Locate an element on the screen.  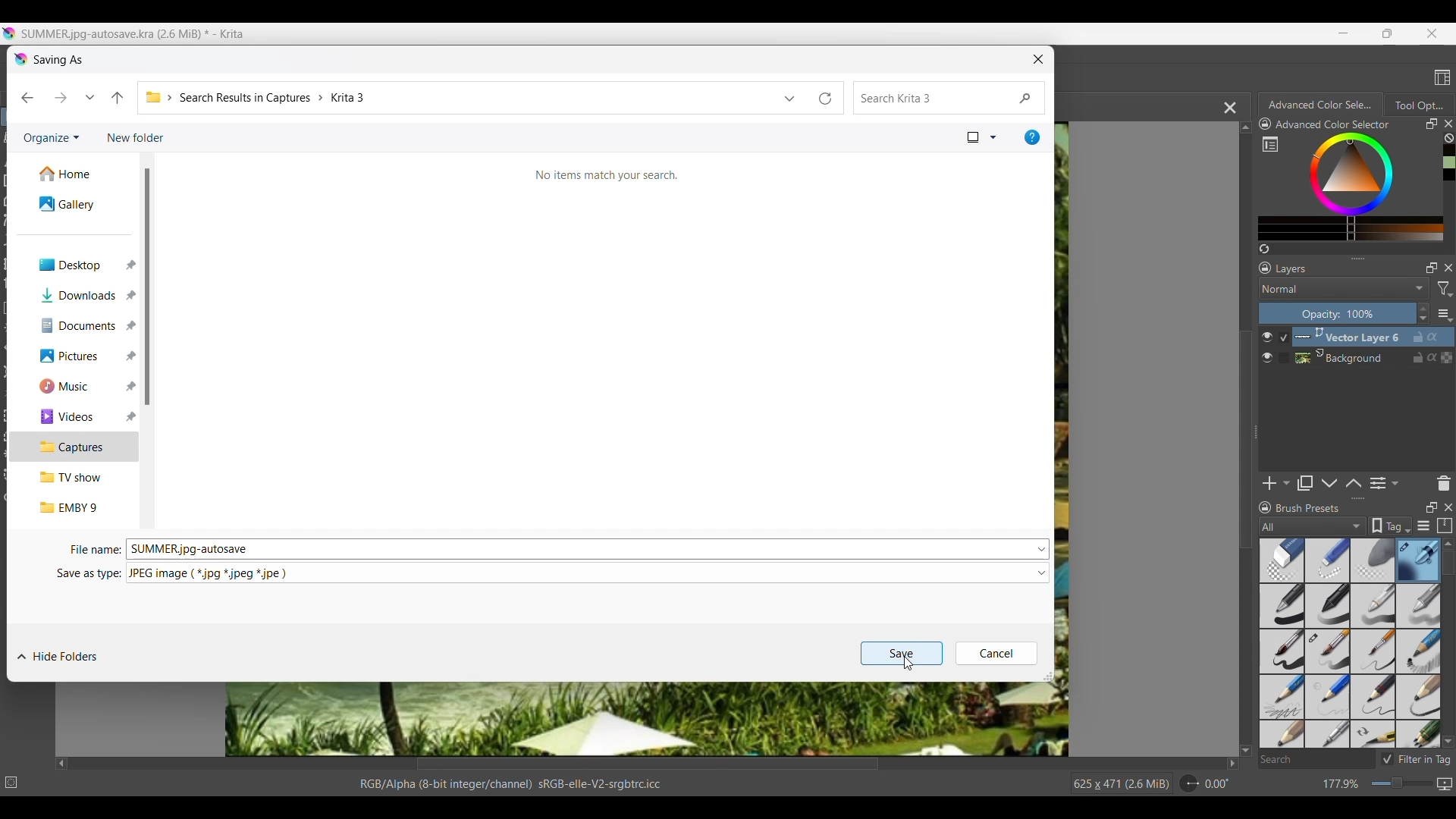
Vector layer is located at coordinates (1373, 337).